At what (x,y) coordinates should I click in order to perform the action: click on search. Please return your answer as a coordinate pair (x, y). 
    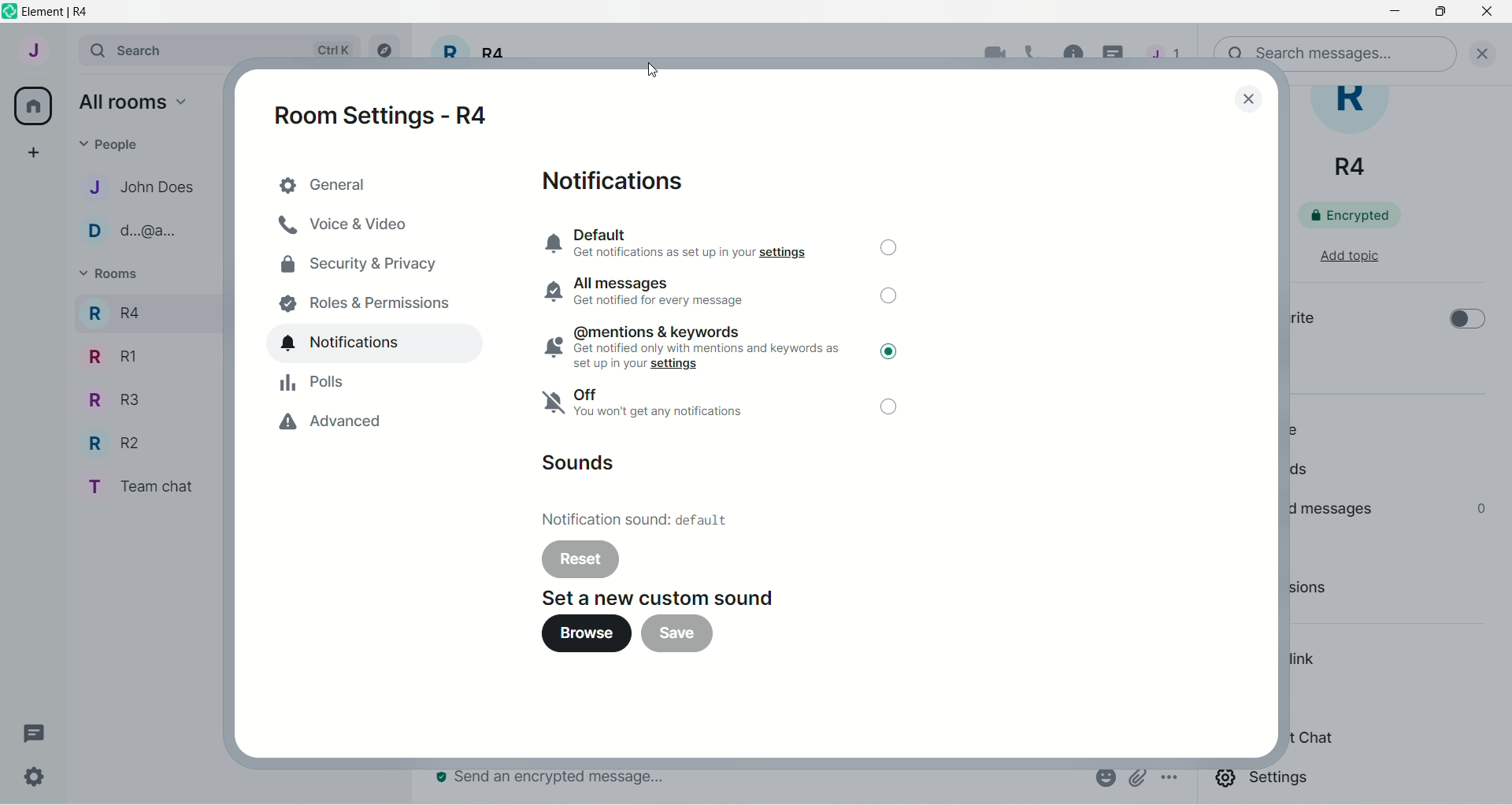
    Looking at the image, I should click on (136, 49).